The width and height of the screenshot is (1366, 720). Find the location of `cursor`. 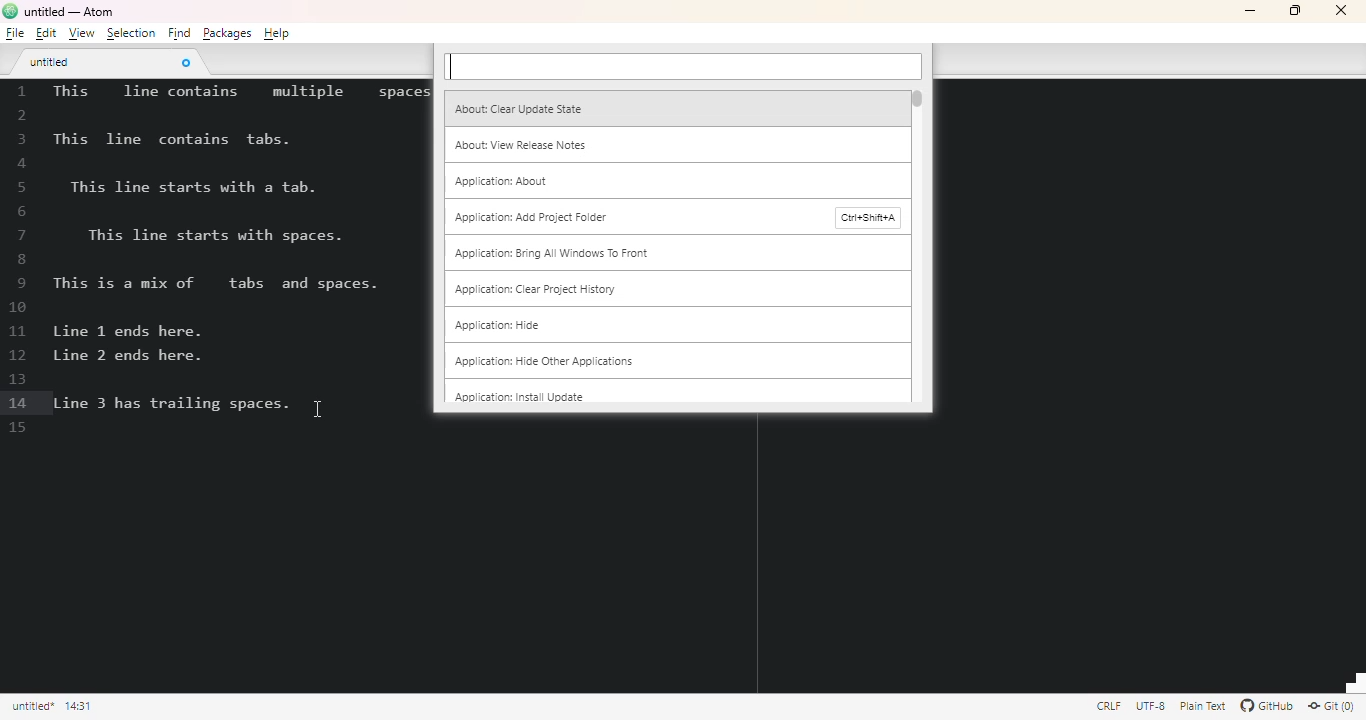

cursor is located at coordinates (318, 409).